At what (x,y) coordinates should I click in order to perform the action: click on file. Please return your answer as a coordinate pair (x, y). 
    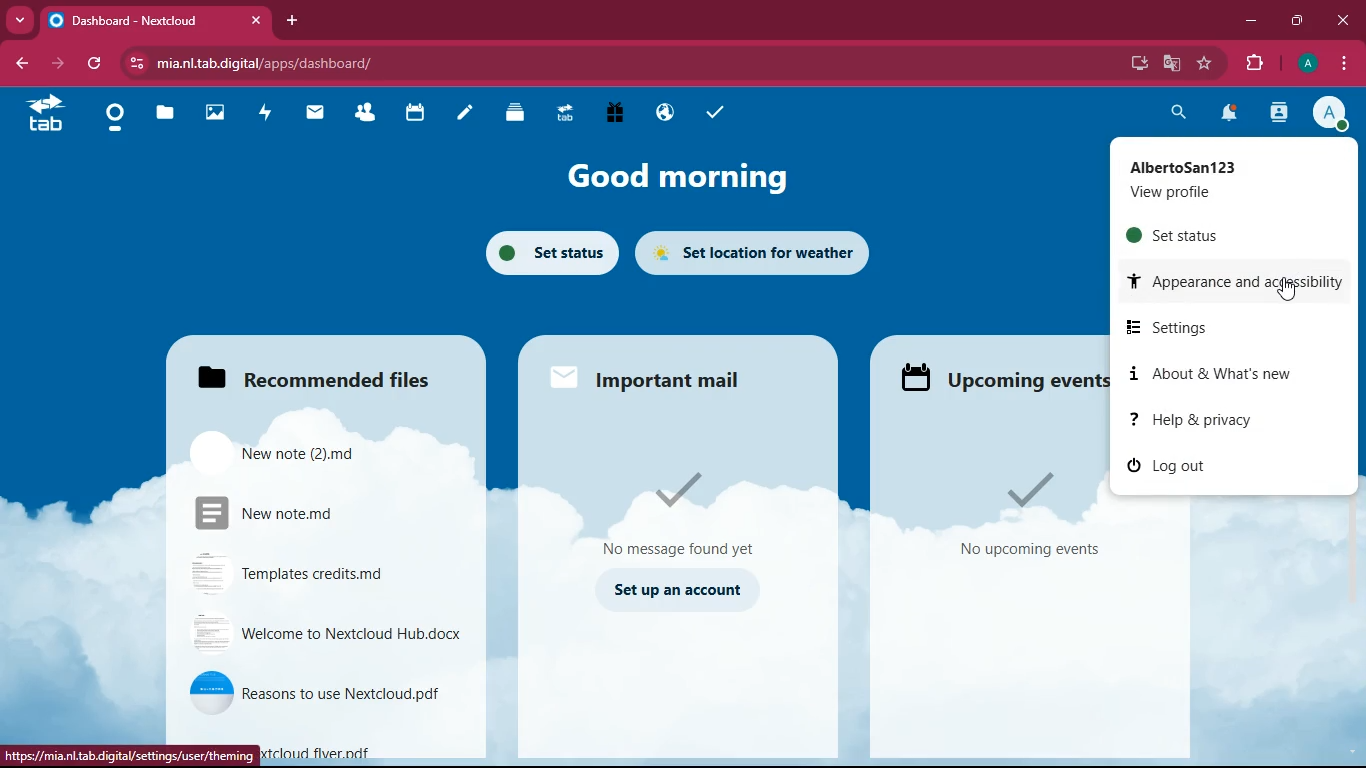
    Looking at the image, I should click on (312, 509).